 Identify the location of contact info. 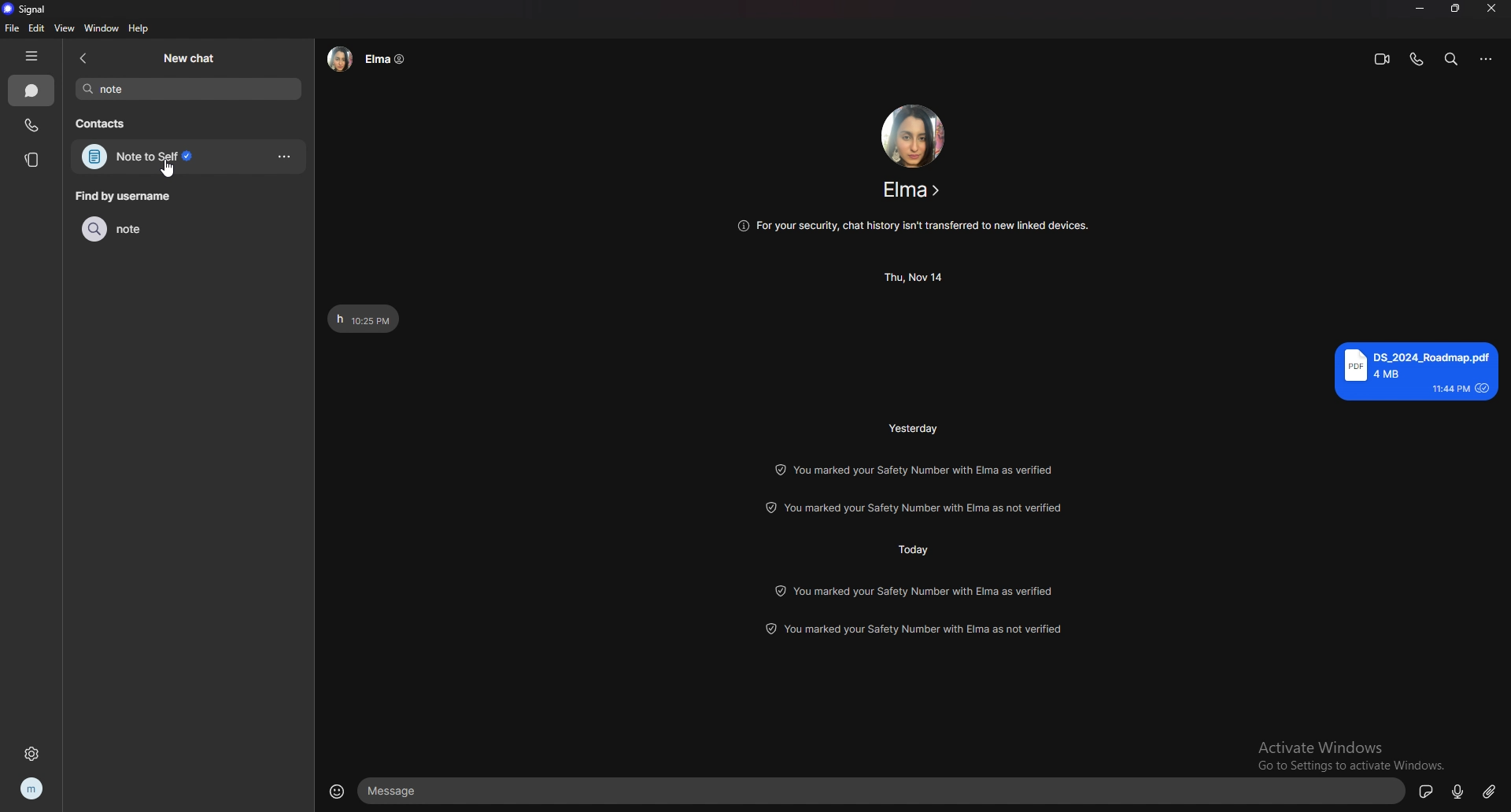
(913, 190).